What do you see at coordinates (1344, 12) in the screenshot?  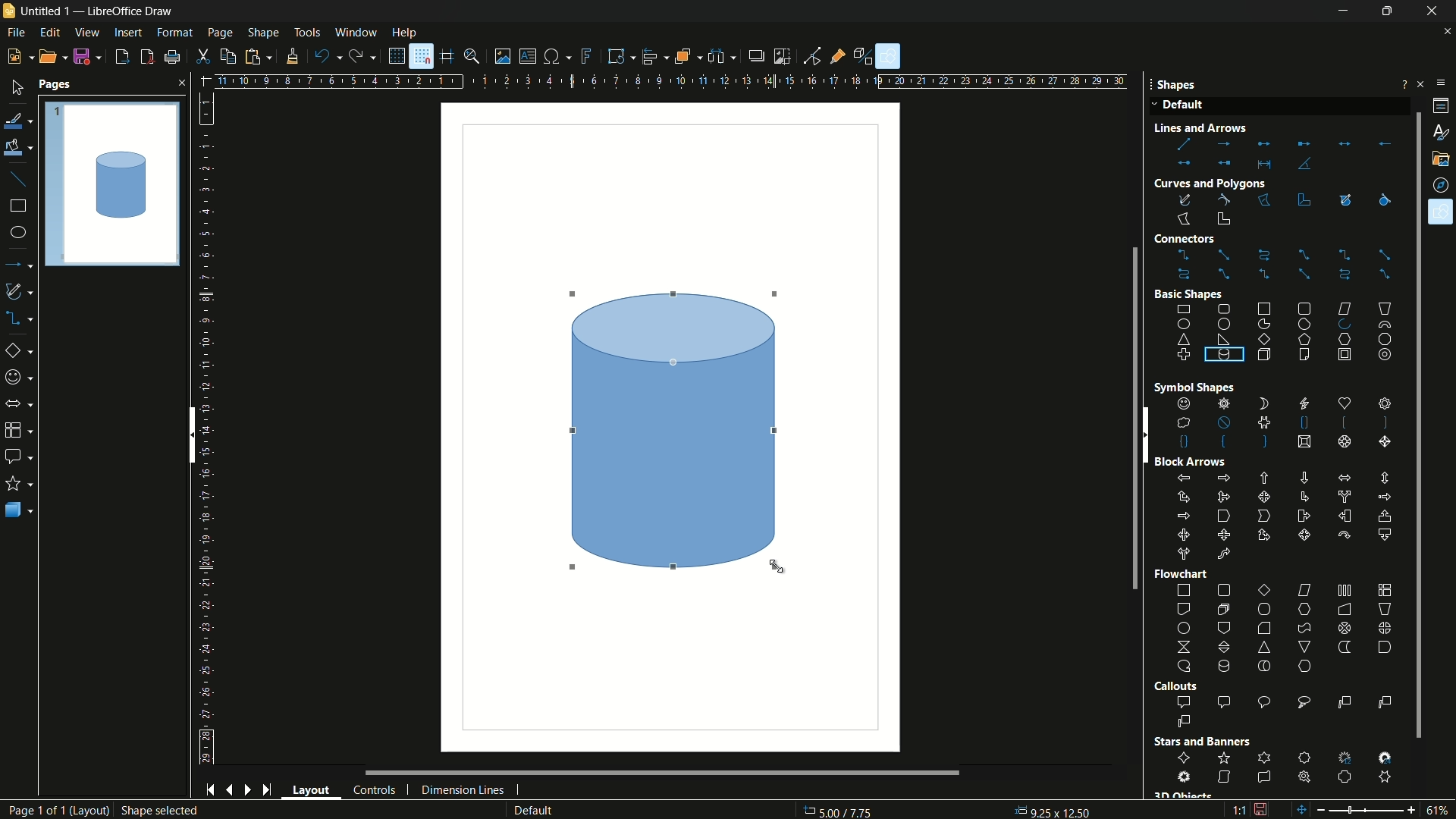 I see `minimize` at bounding box center [1344, 12].